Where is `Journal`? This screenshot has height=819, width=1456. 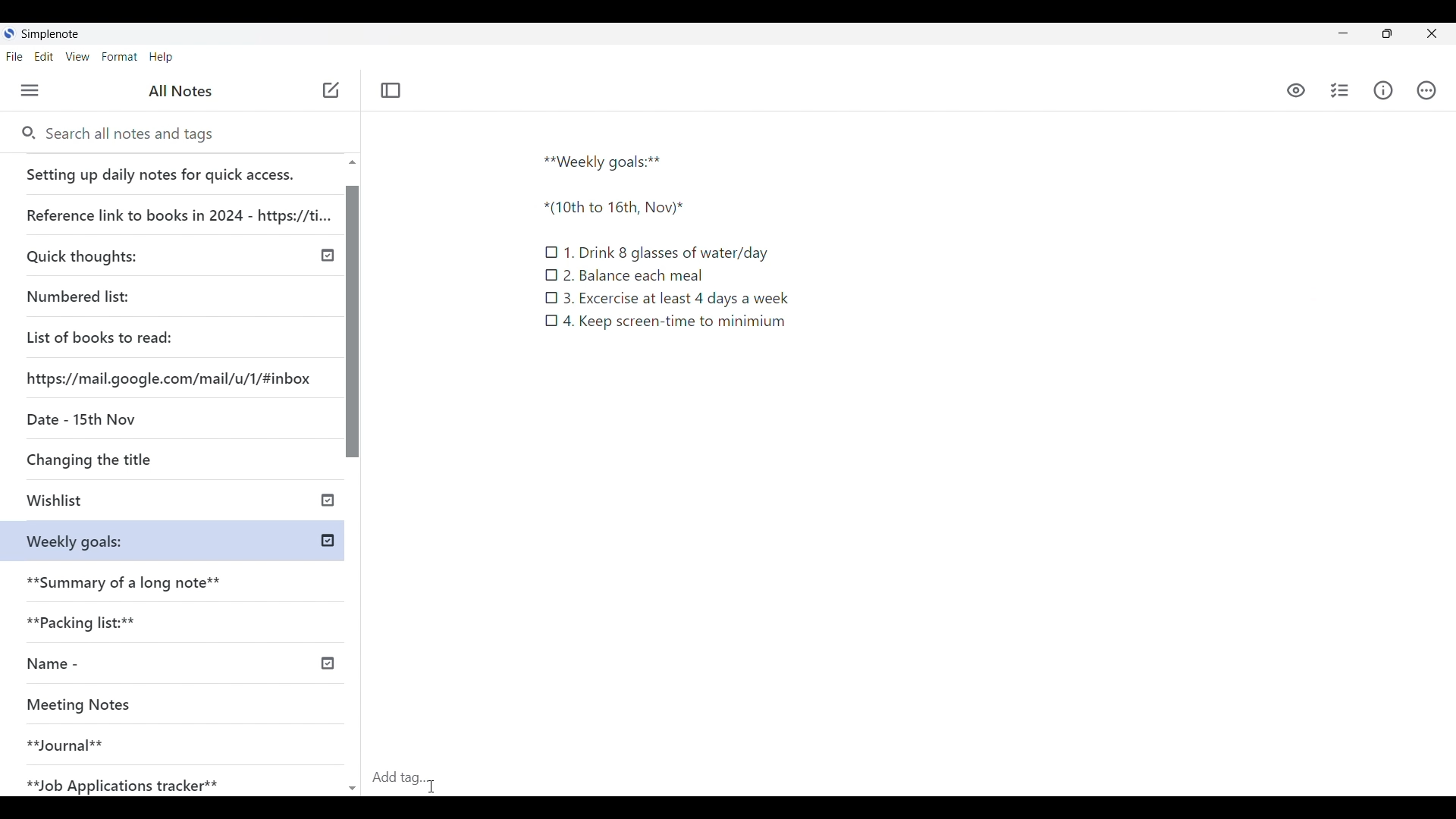
Journal is located at coordinates (151, 739).